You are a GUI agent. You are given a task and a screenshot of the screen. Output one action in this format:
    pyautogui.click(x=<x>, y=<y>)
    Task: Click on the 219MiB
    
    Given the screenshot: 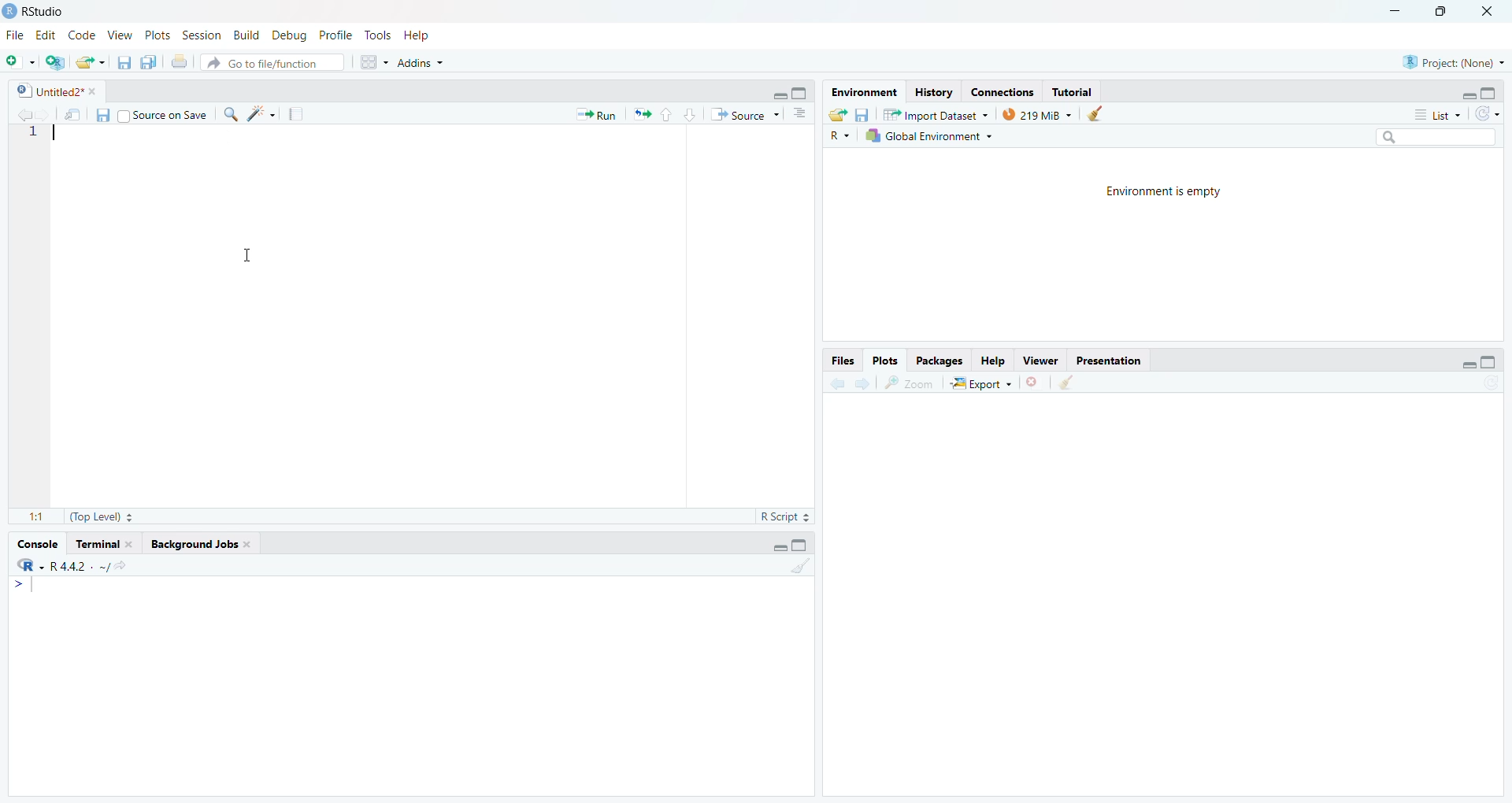 What is the action you would take?
    pyautogui.click(x=1037, y=113)
    